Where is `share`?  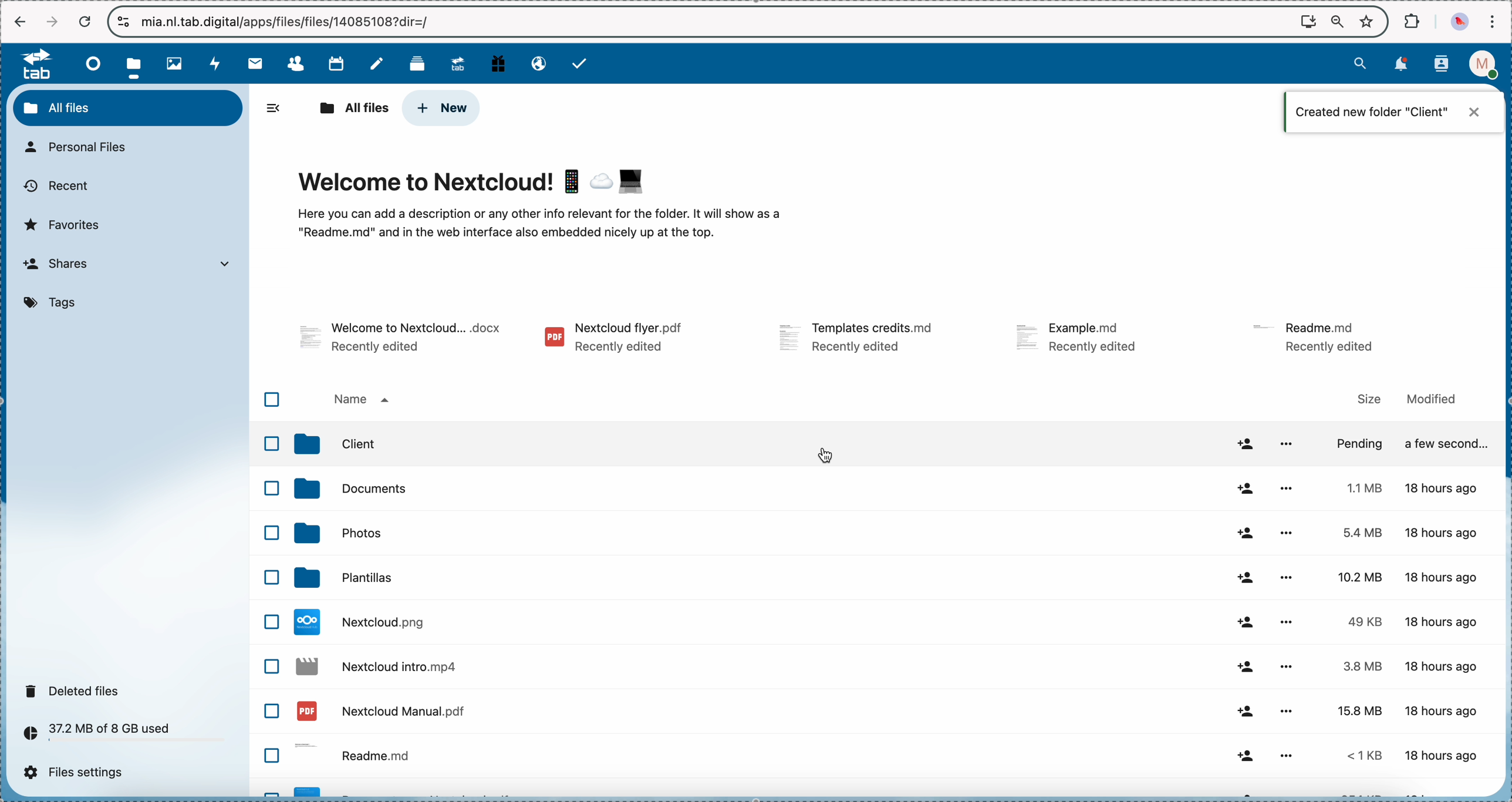 share is located at coordinates (1247, 489).